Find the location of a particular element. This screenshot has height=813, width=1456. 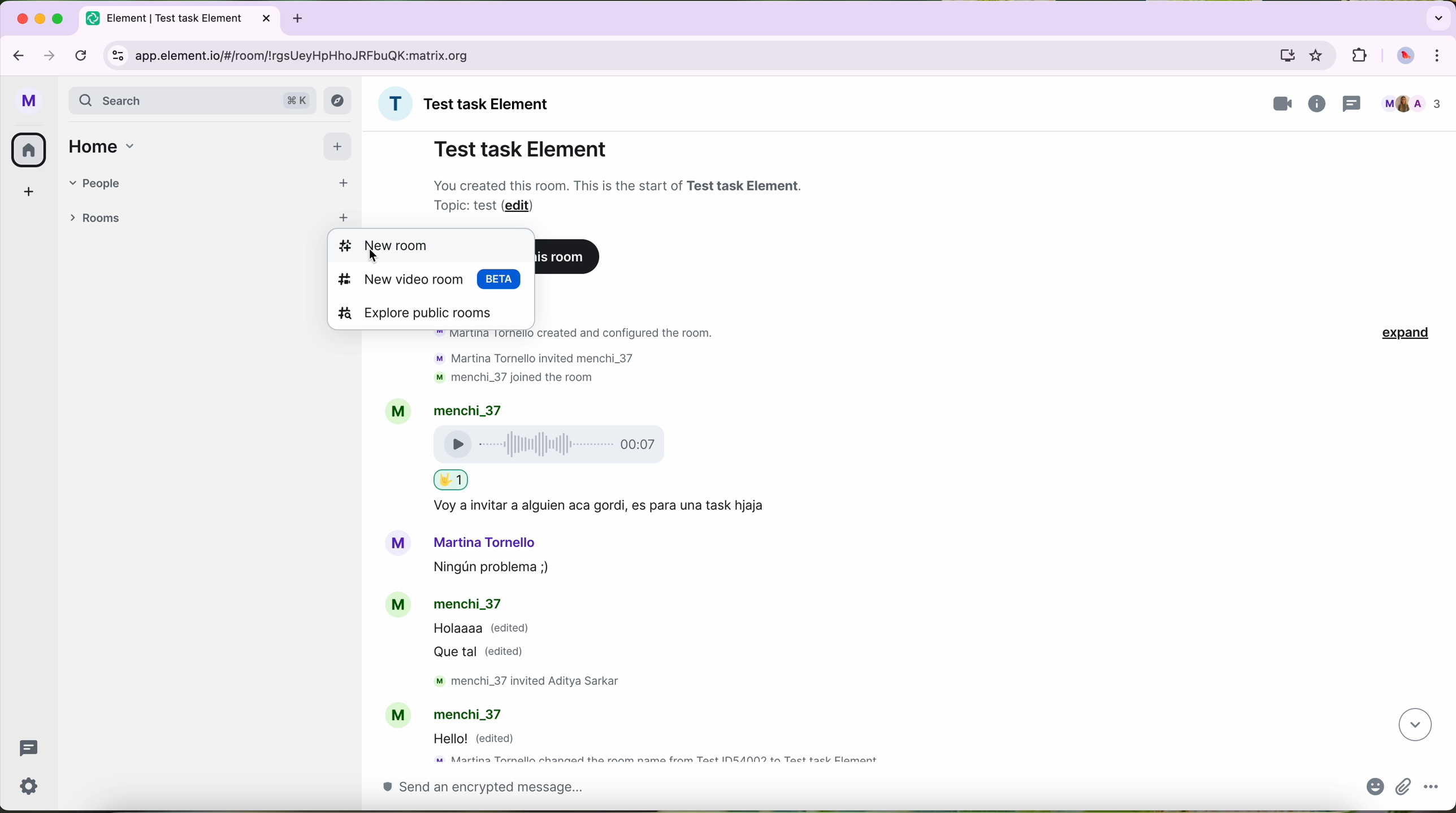

account is located at coordinates (456, 409).